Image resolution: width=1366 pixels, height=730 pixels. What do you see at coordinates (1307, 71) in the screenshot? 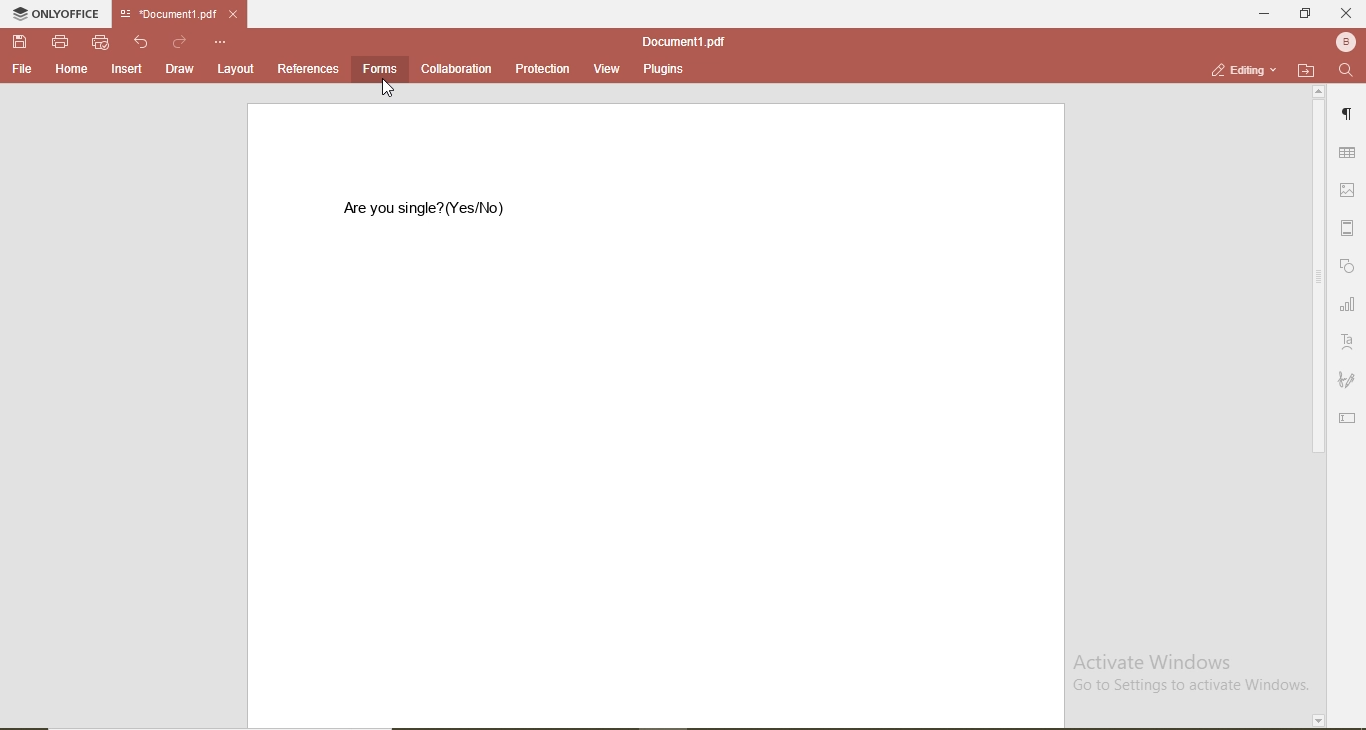
I see `open file location` at bounding box center [1307, 71].